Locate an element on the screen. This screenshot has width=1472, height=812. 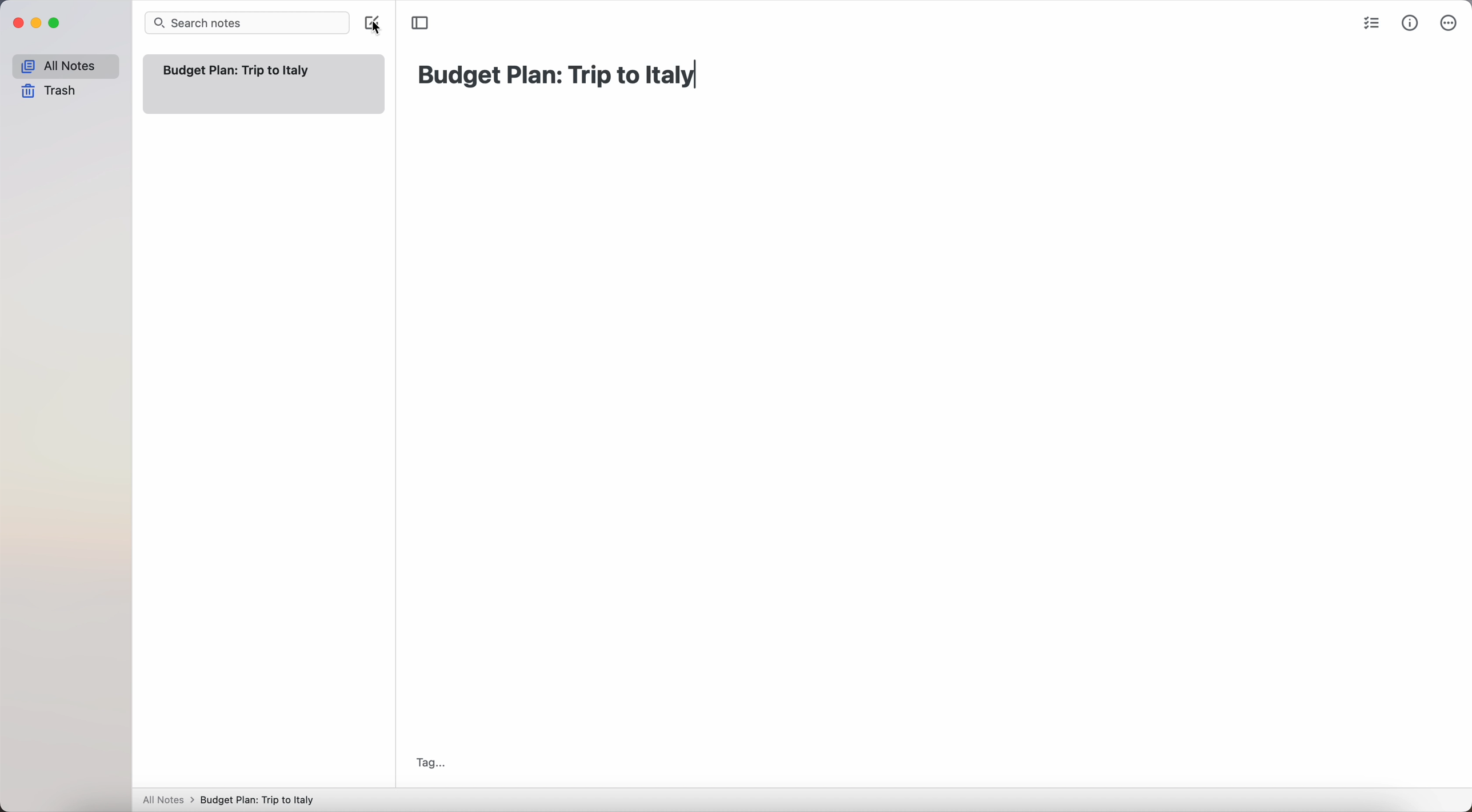
tag is located at coordinates (431, 763).